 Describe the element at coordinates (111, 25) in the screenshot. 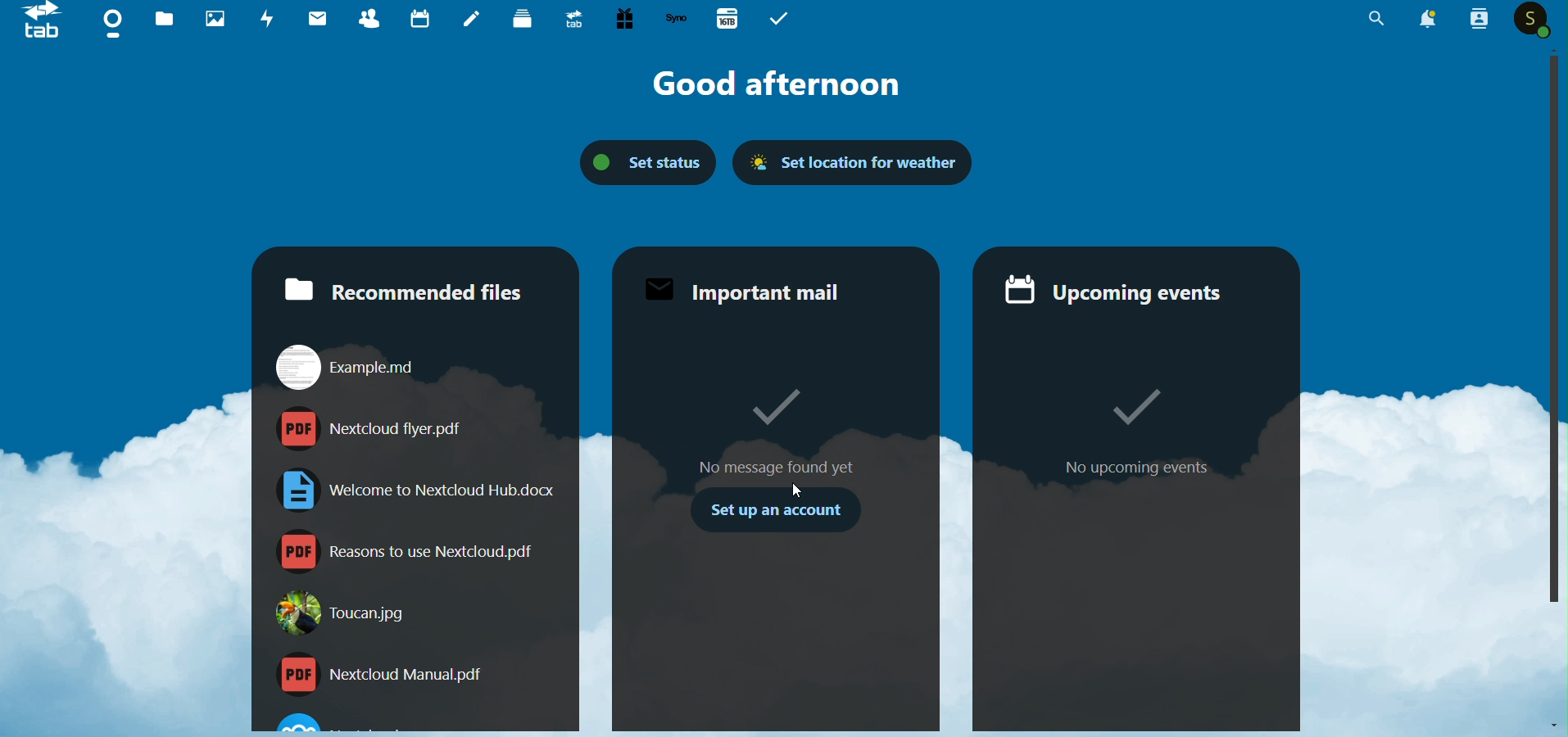

I see `Dashboard` at that location.